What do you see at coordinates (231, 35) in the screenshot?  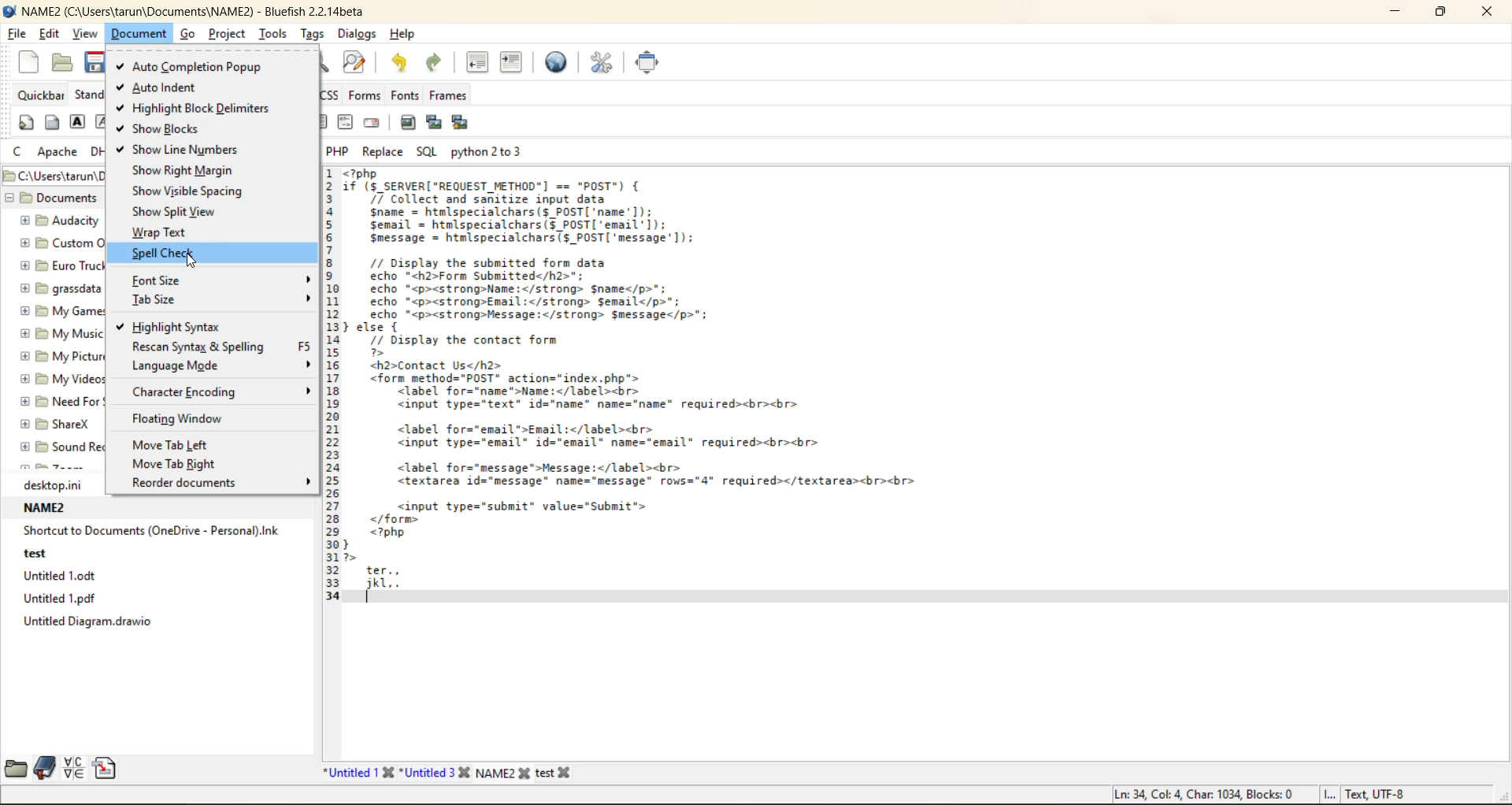 I see `project` at bounding box center [231, 35].